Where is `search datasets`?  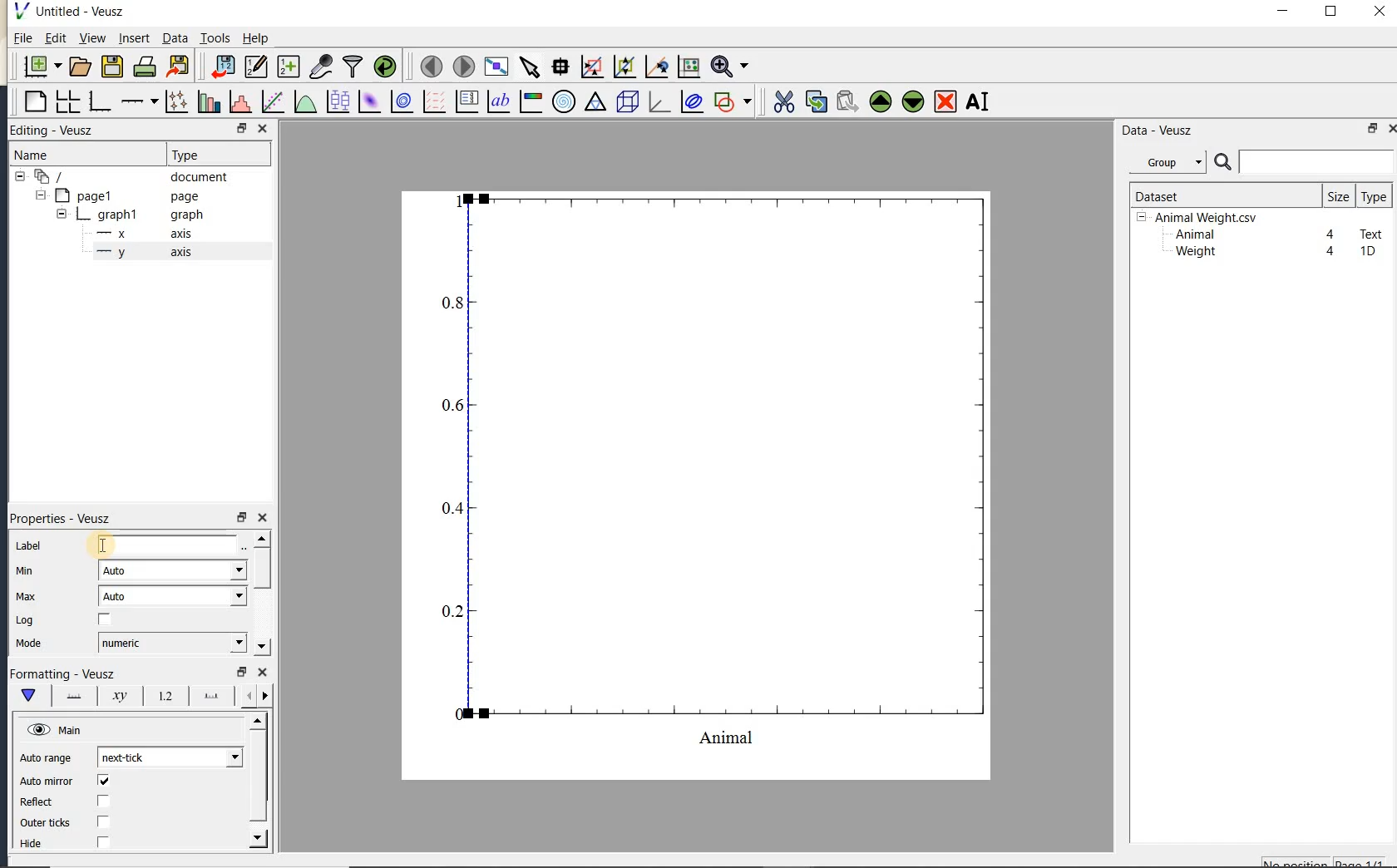 search datasets is located at coordinates (1304, 162).